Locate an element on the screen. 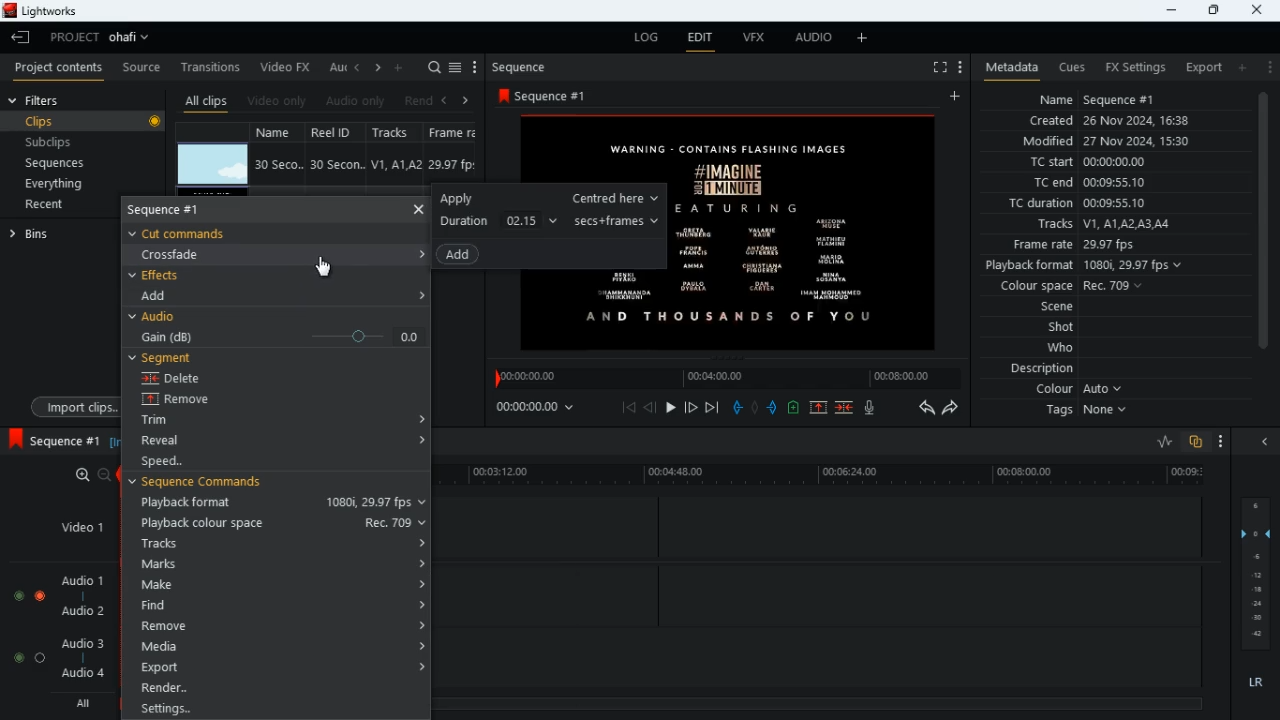 Image resolution: width=1280 pixels, height=720 pixels. scene is located at coordinates (1058, 308).